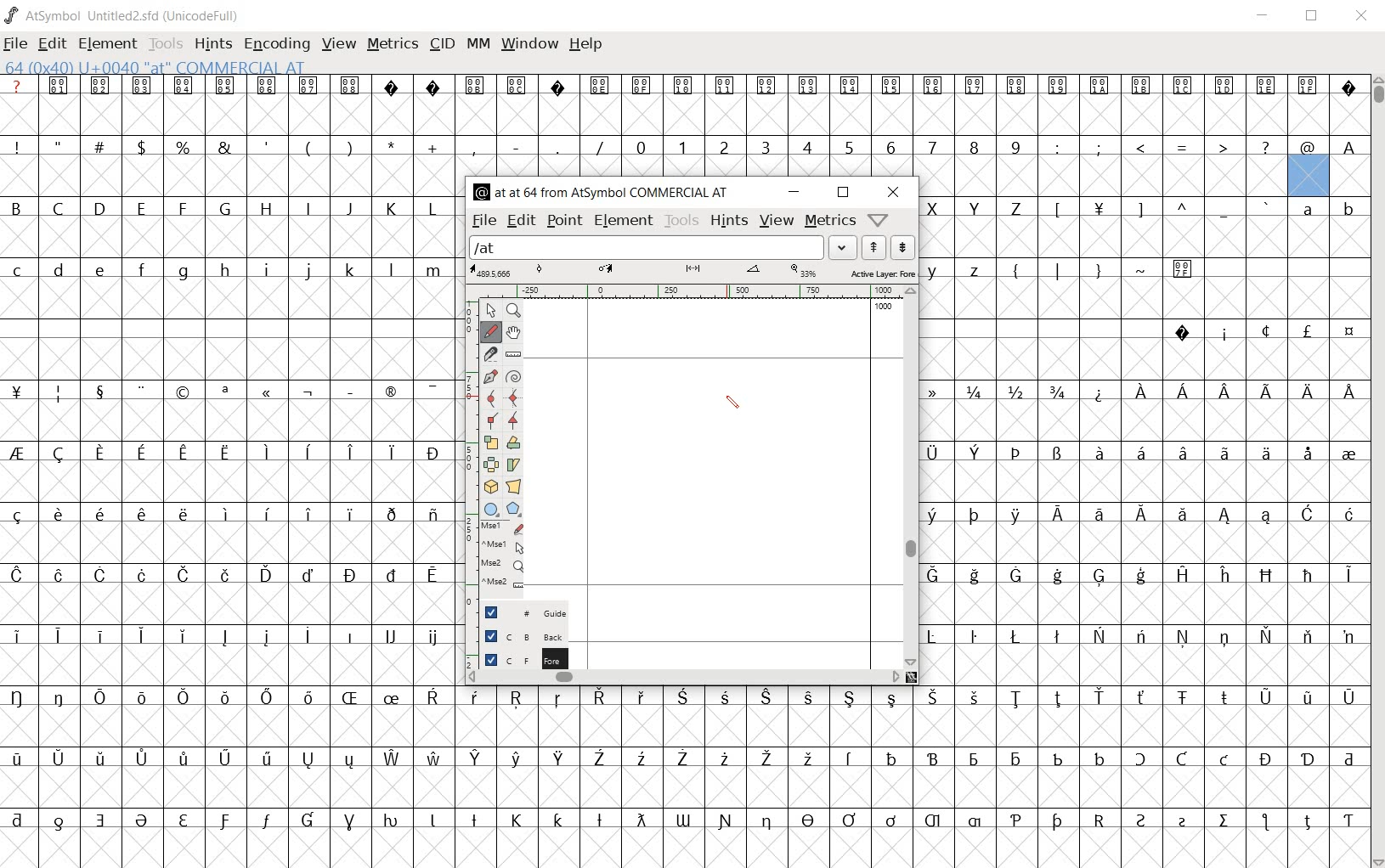 The width and height of the screenshot is (1385, 868). Describe the element at coordinates (1267, 20) in the screenshot. I see `MINIMIZE` at that location.